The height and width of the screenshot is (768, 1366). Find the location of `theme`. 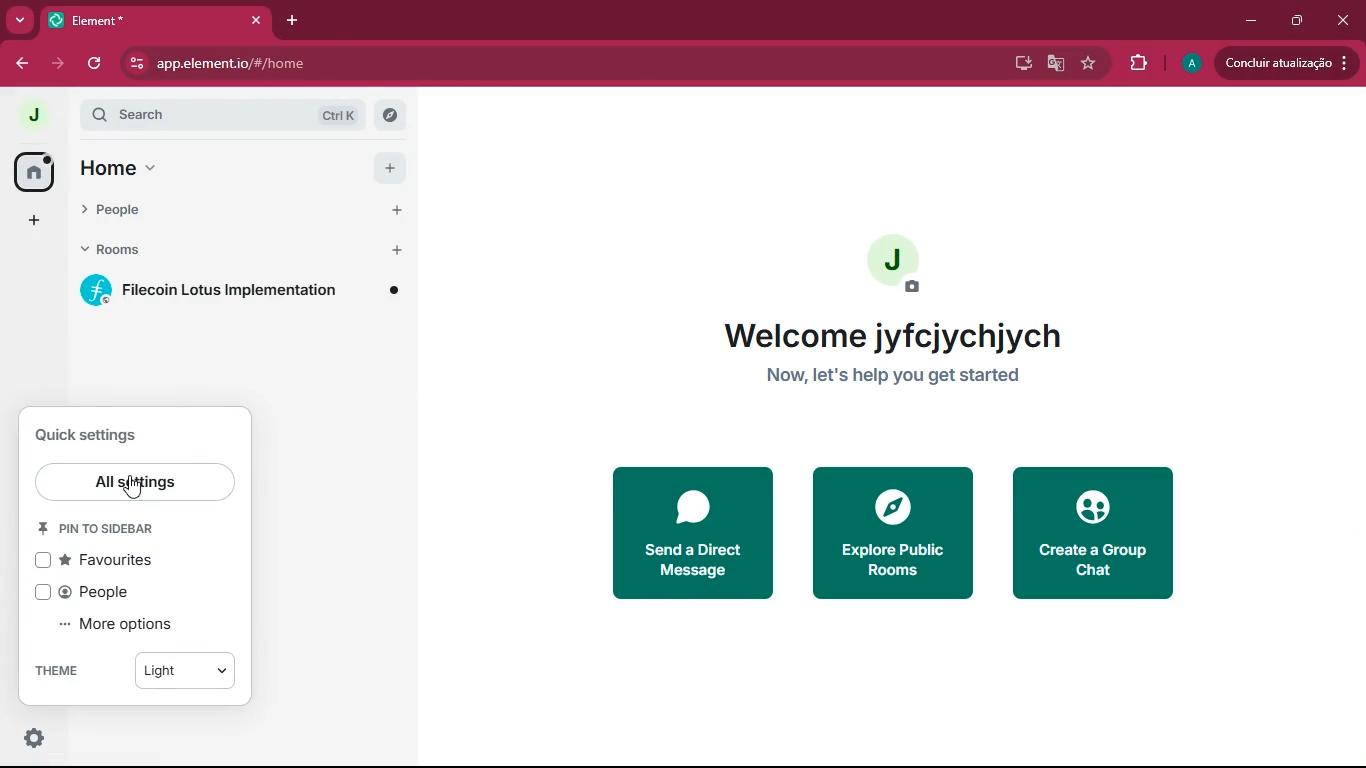

theme is located at coordinates (135, 674).